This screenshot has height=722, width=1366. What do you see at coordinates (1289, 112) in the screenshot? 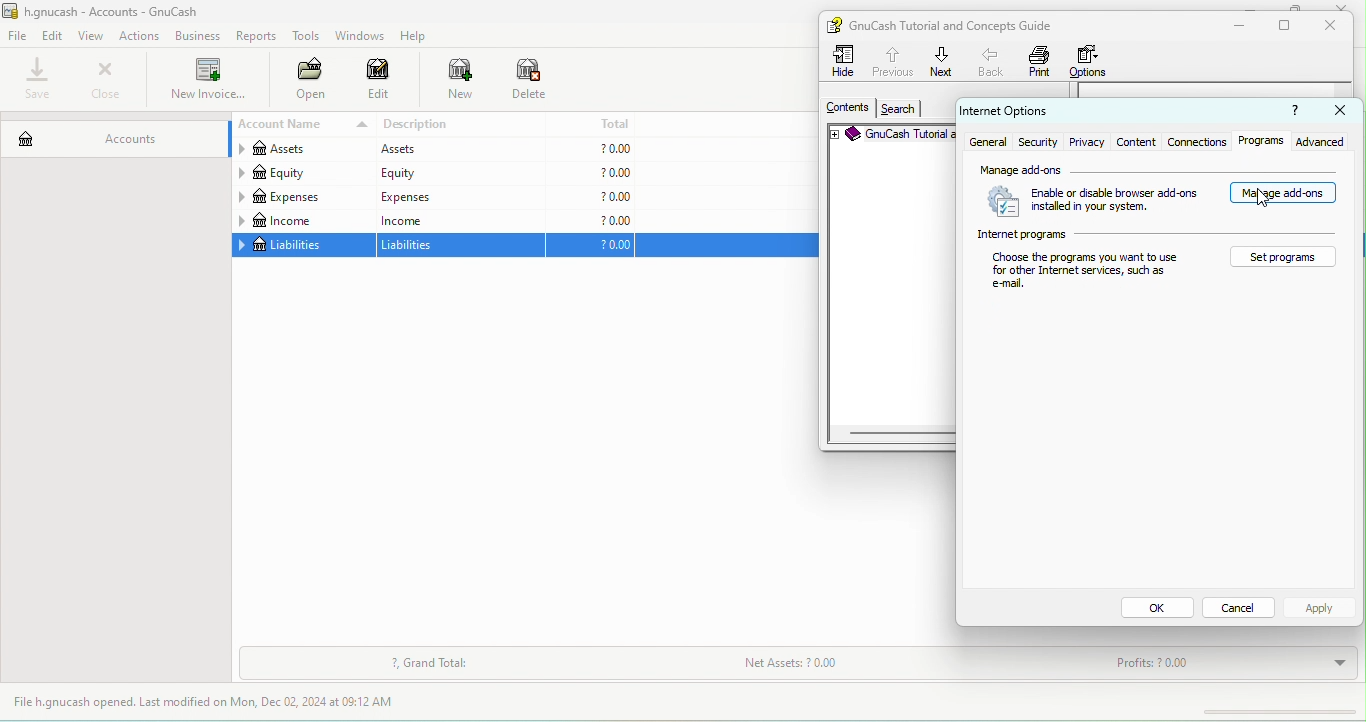
I see `?` at bounding box center [1289, 112].